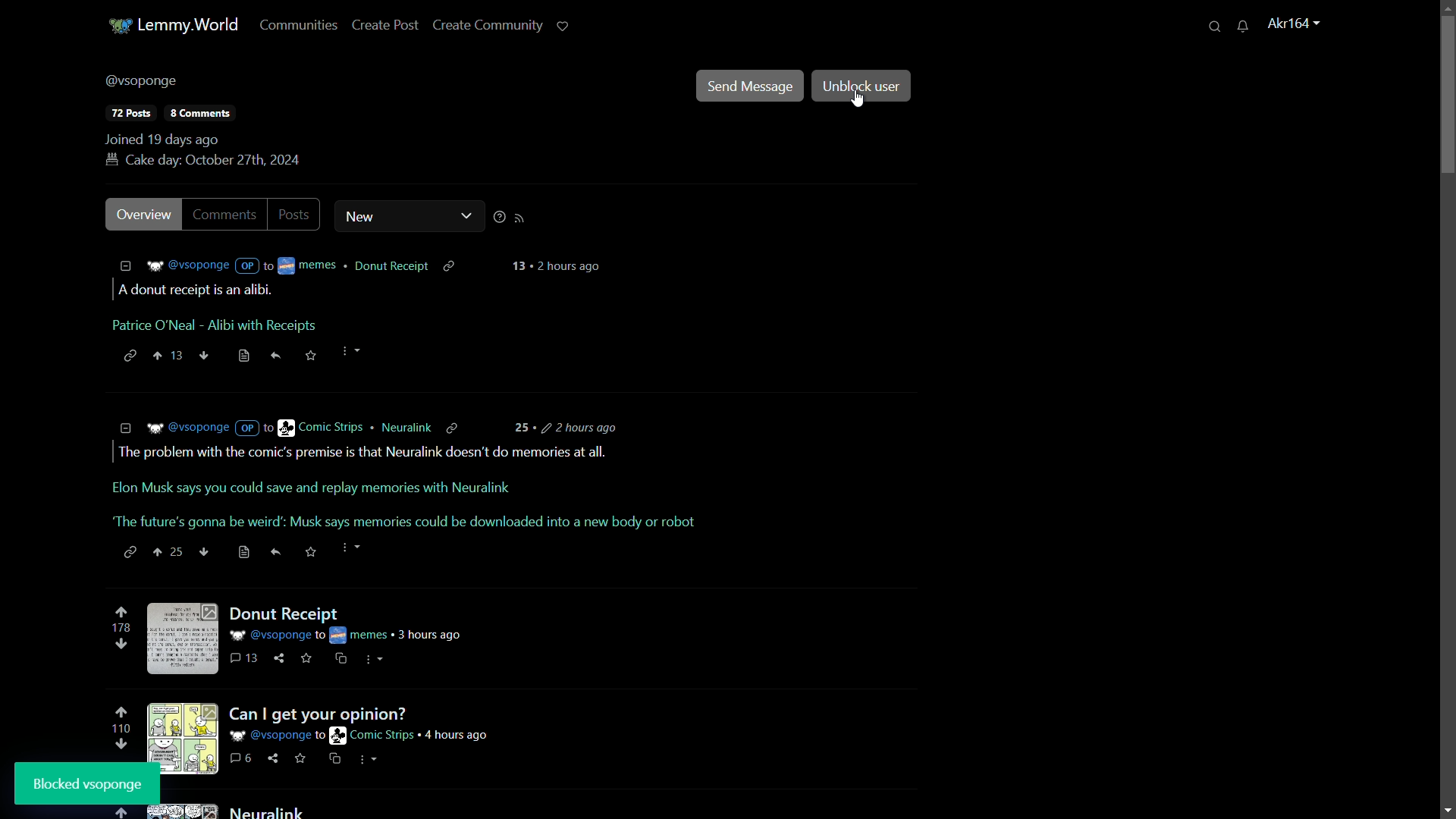 The width and height of the screenshot is (1456, 819). Describe the element at coordinates (571, 428) in the screenshot. I see `time` at that location.